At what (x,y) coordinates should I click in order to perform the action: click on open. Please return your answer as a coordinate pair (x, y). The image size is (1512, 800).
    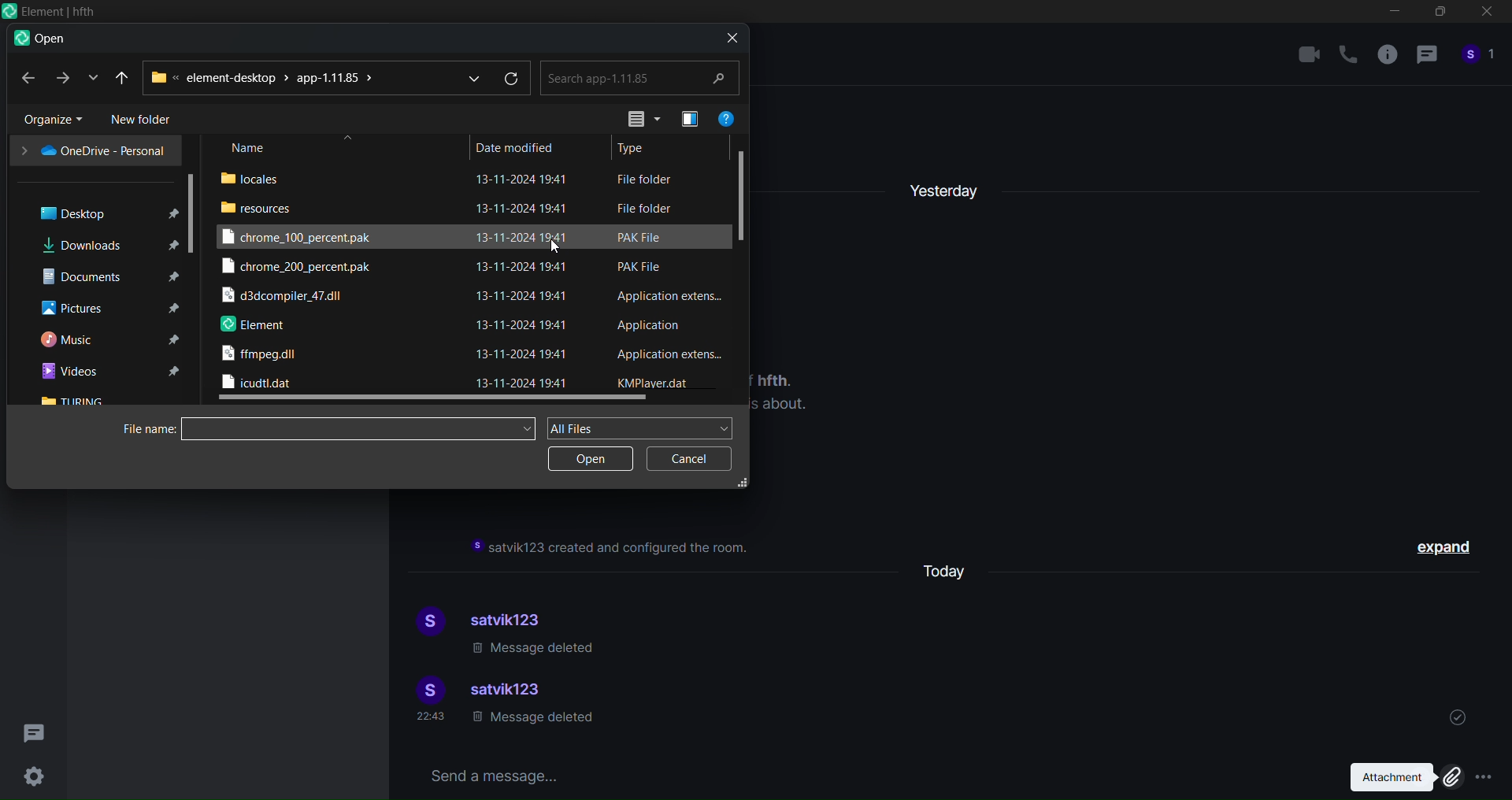
    Looking at the image, I should click on (39, 39).